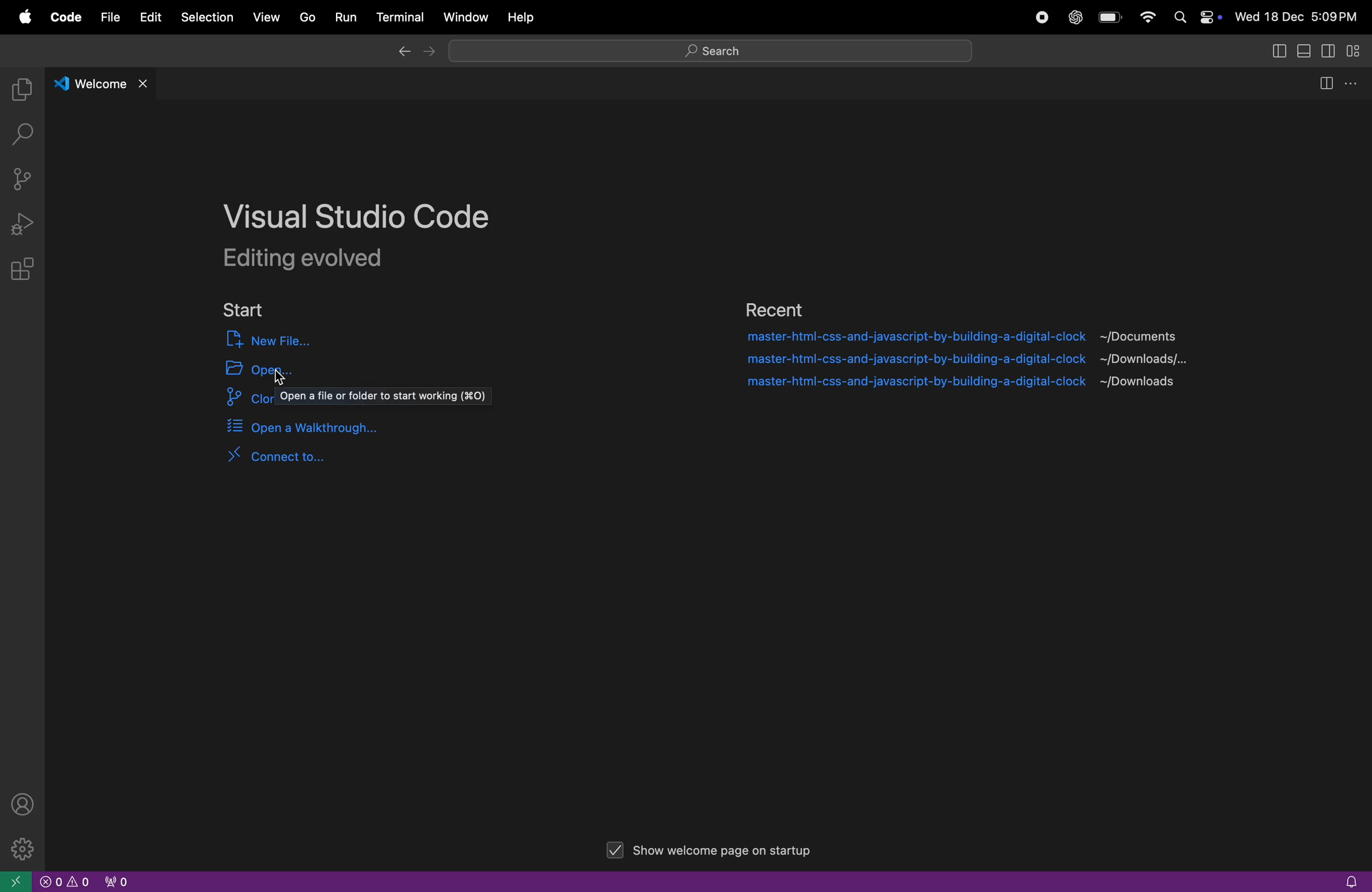 This screenshot has height=892, width=1372. I want to click on open window, so click(17, 881).